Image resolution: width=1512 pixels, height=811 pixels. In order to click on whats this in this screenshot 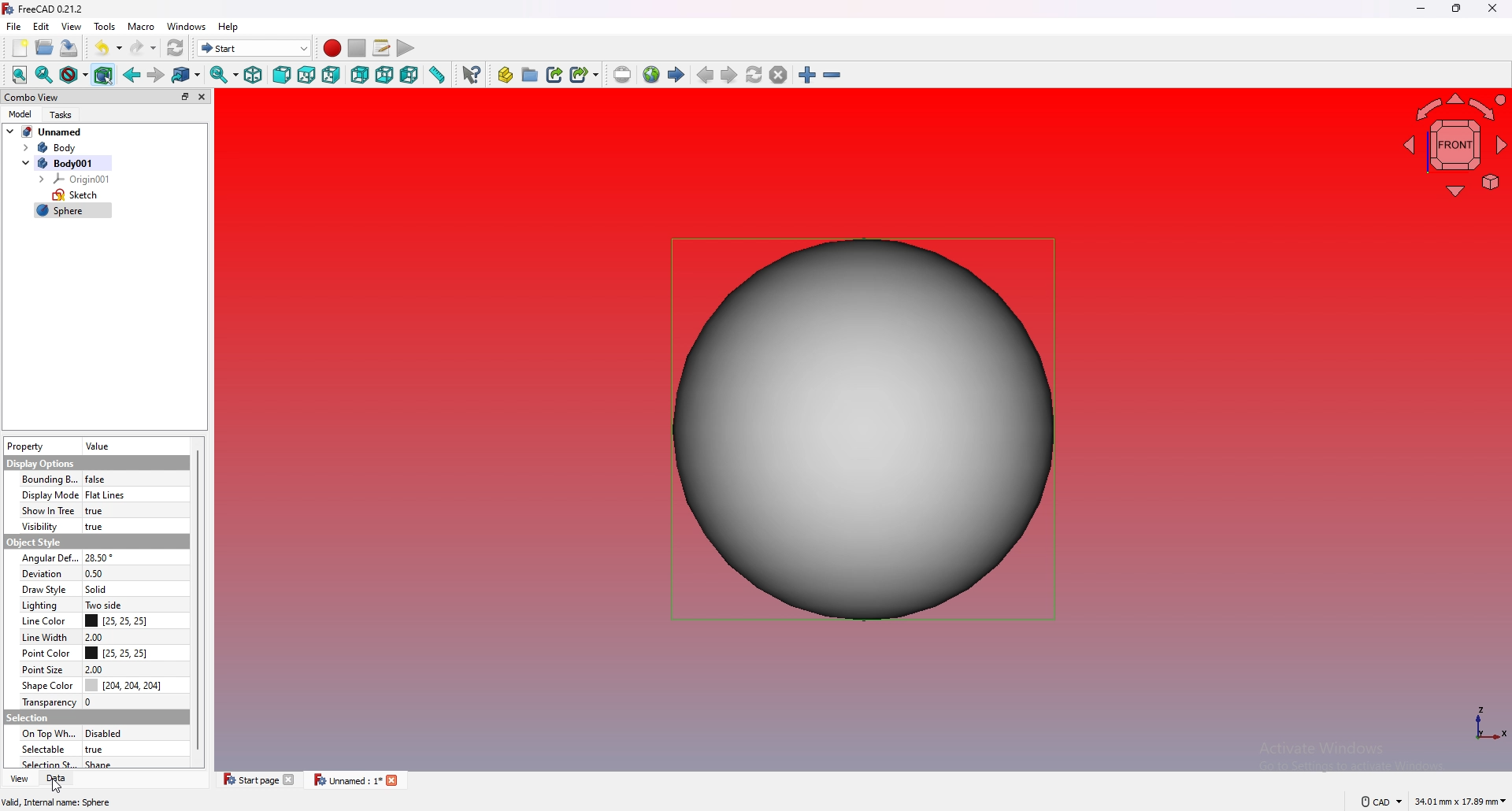, I will do `click(472, 74)`.